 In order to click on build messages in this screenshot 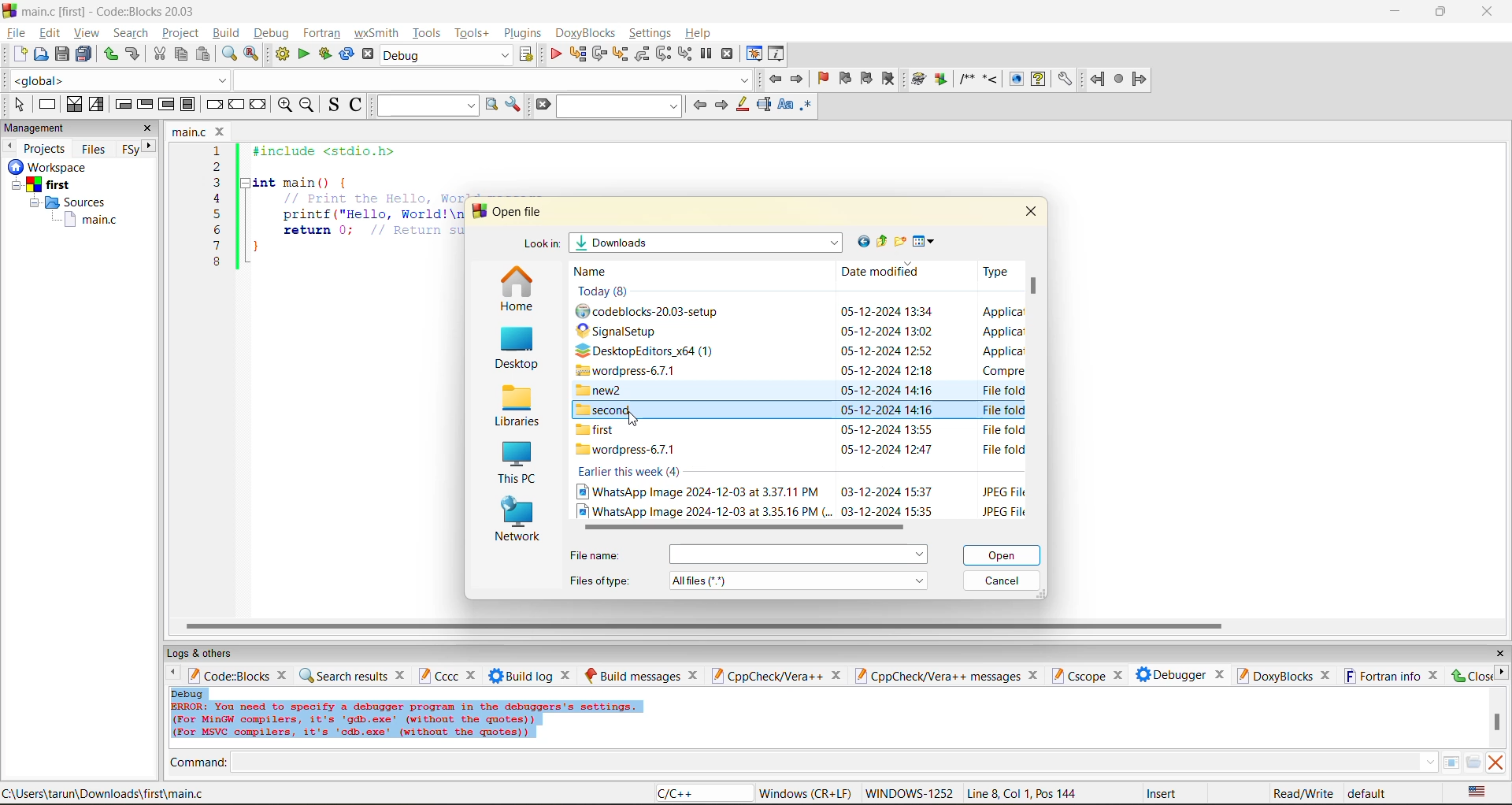, I will do `click(632, 675)`.